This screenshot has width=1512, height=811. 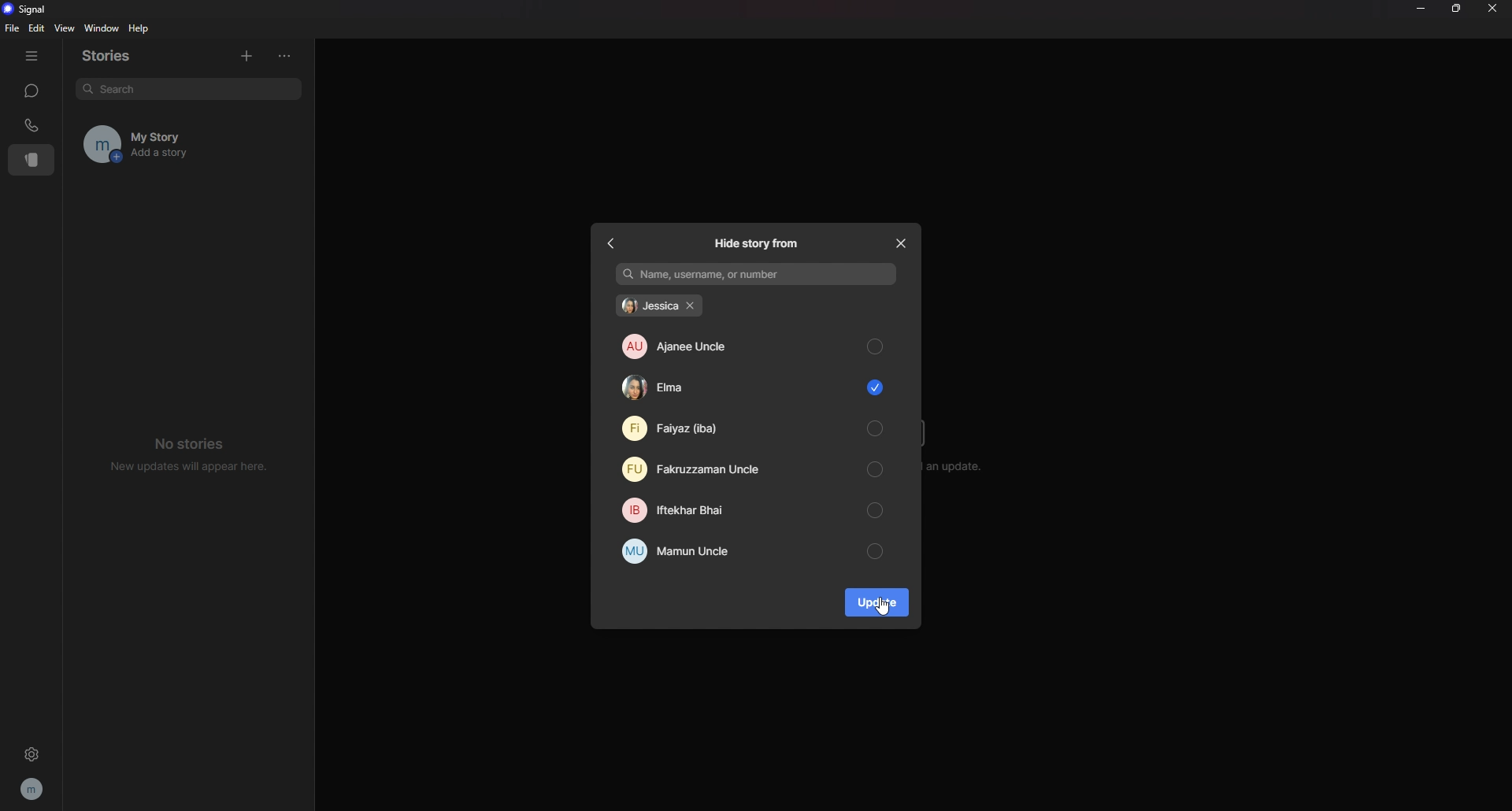 I want to click on no stories new updates will appear here, so click(x=191, y=453).